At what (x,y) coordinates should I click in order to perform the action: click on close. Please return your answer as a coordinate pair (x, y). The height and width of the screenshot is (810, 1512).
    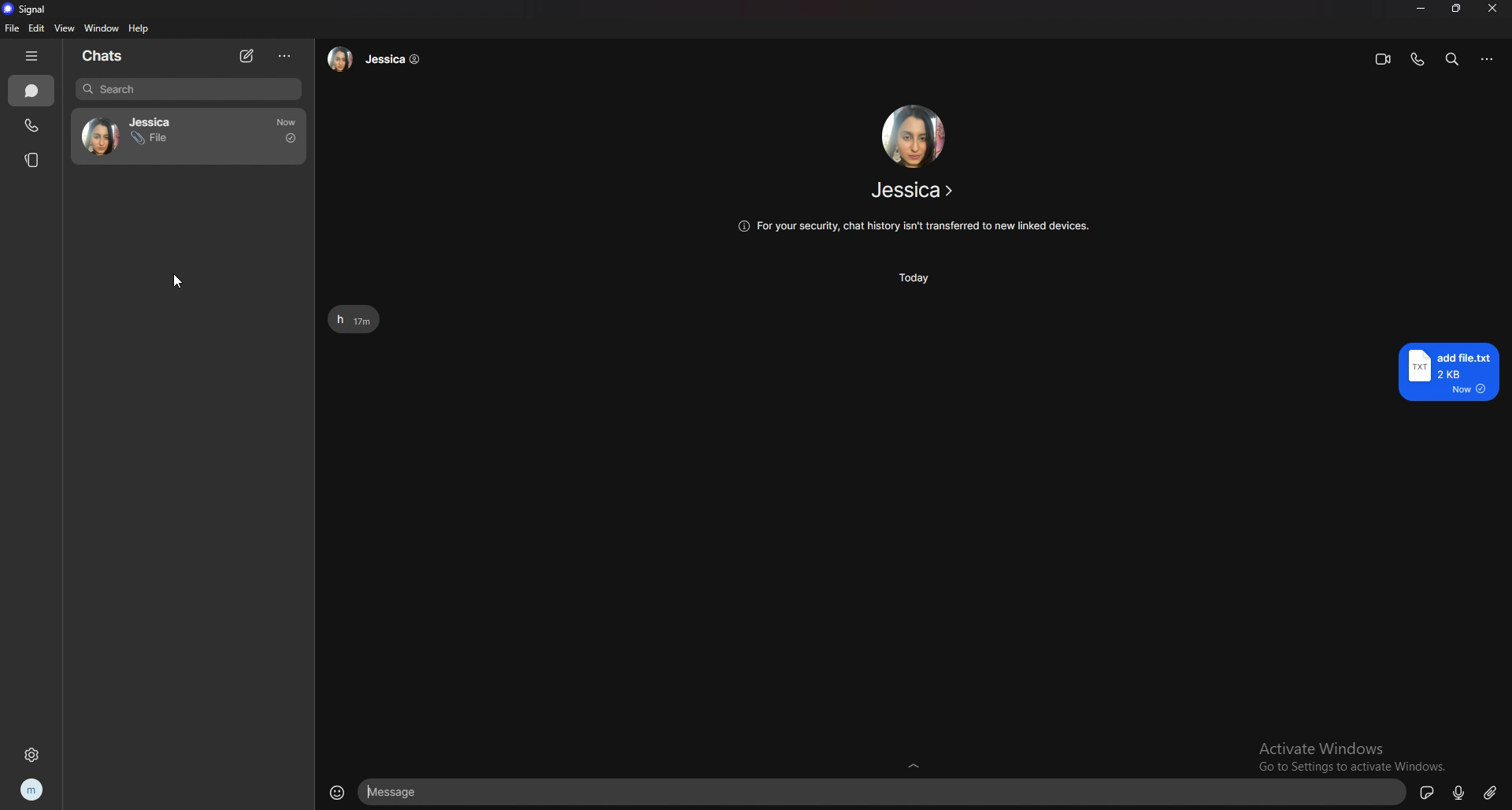
    Looking at the image, I should click on (1489, 9).